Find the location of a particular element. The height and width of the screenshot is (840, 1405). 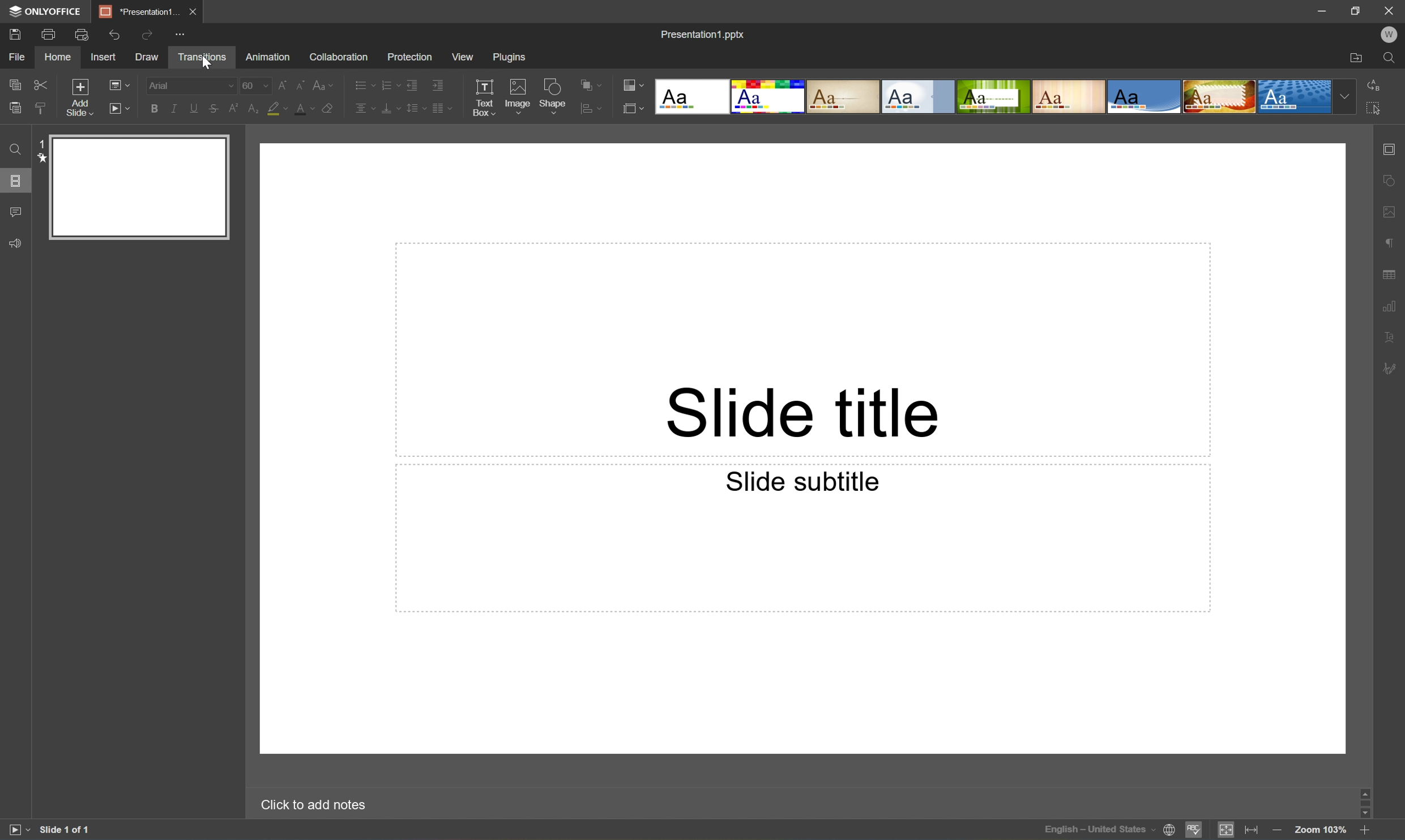

Font color is located at coordinates (303, 110).